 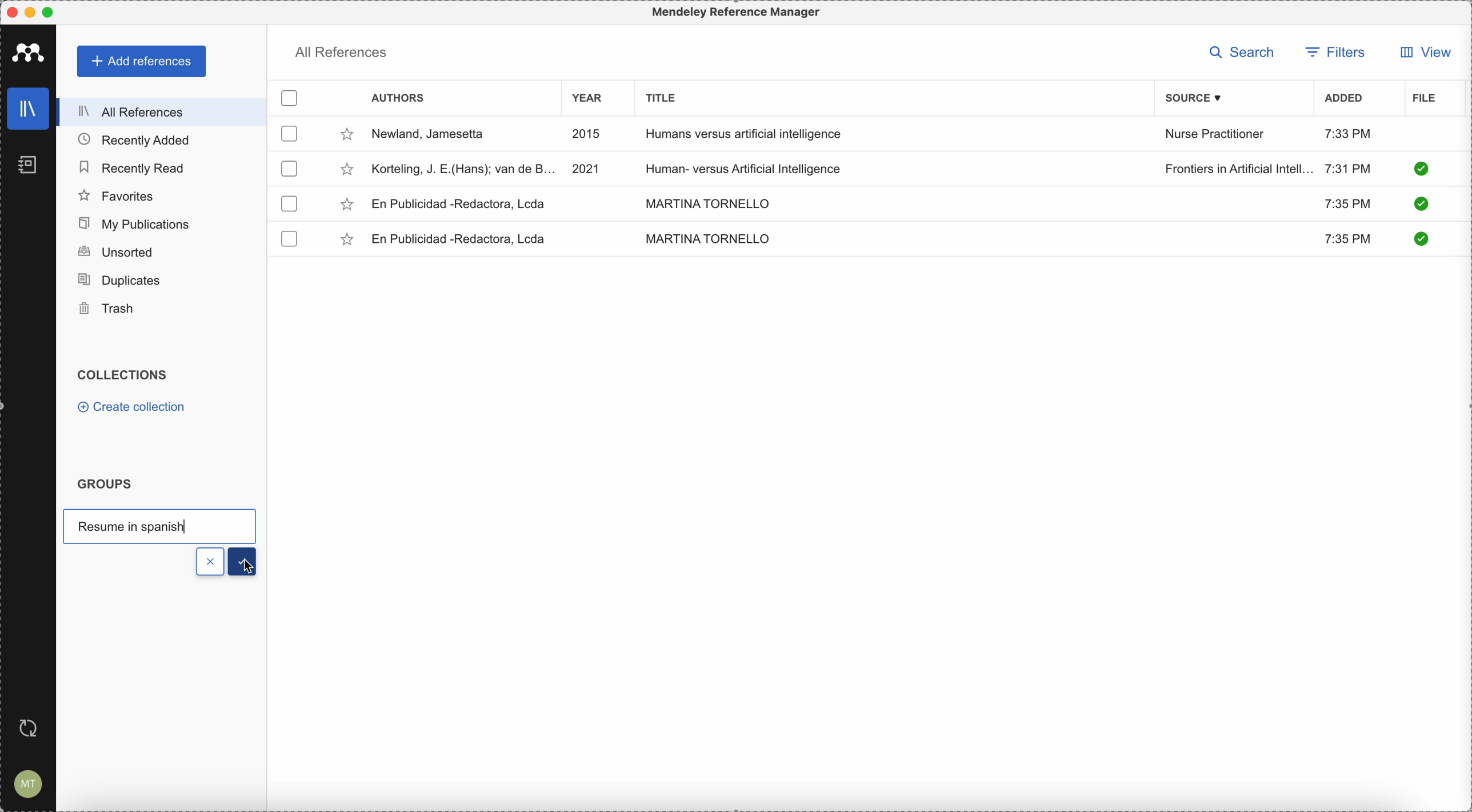 I want to click on my publications, so click(x=135, y=224).